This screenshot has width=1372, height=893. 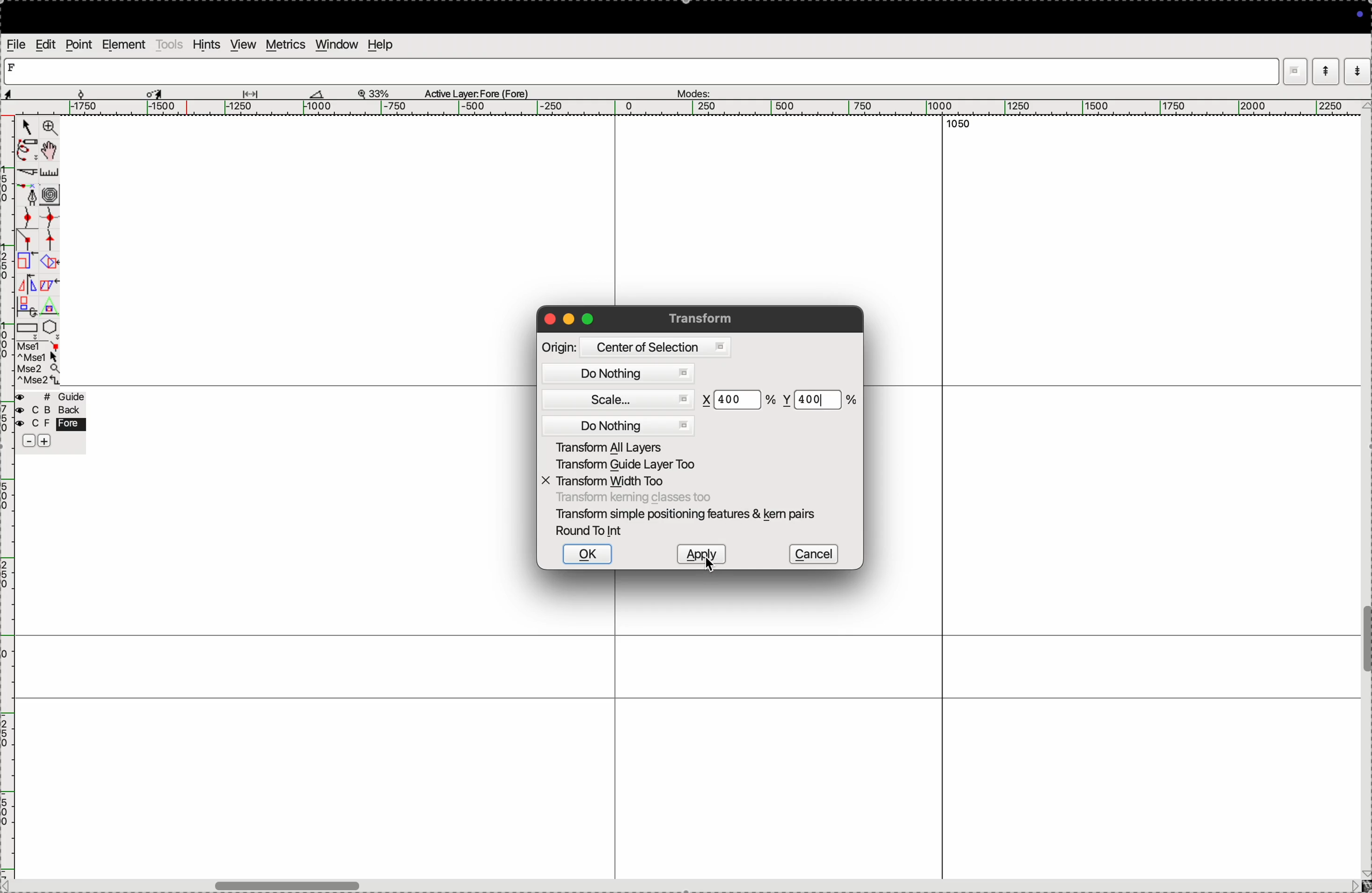 What do you see at coordinates (689, 514) in the screenshot?
I see `transform smple postioning features ` at bounding box center [689, 514].